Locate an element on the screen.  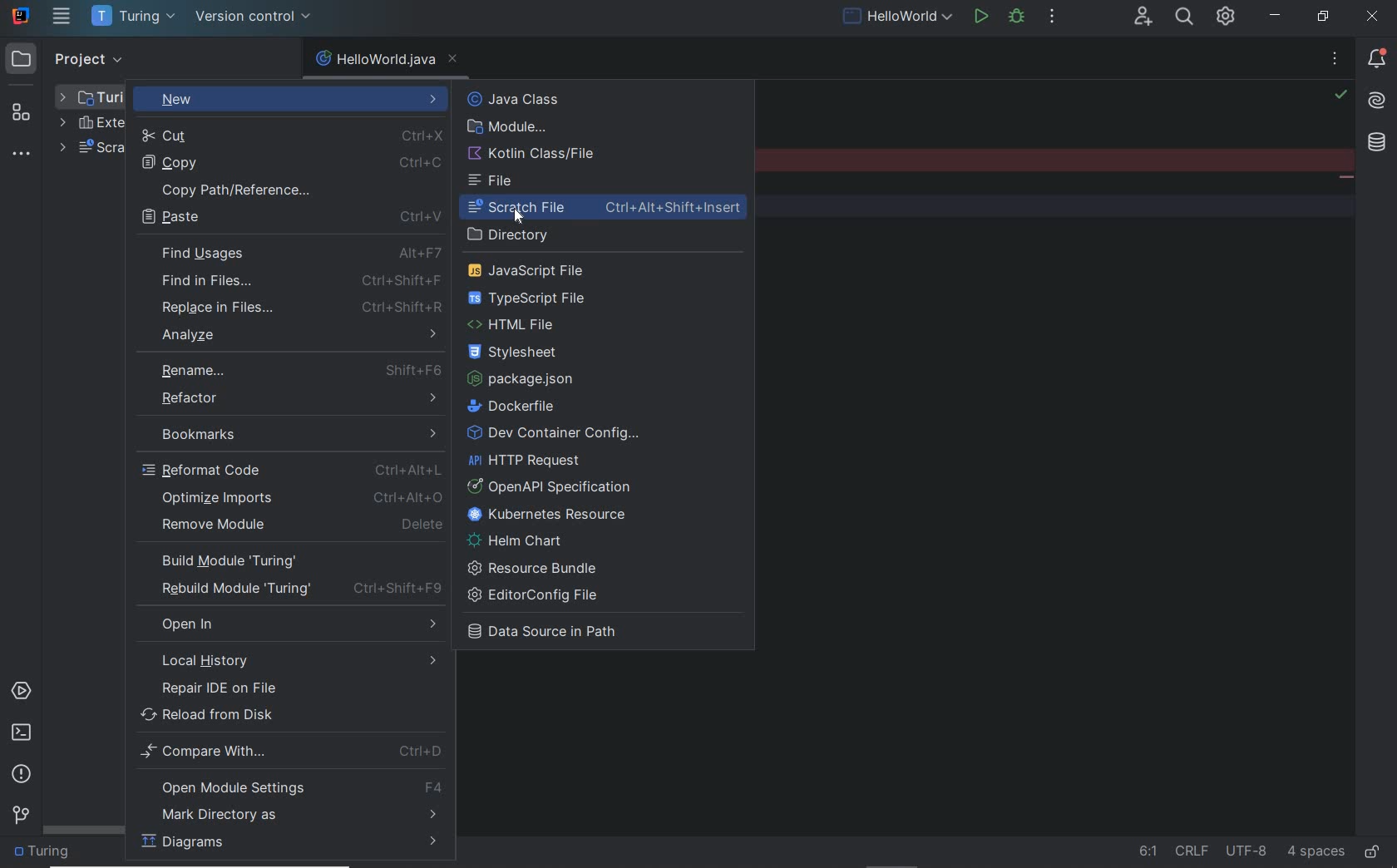
rename is located at coordinates (297, 369).